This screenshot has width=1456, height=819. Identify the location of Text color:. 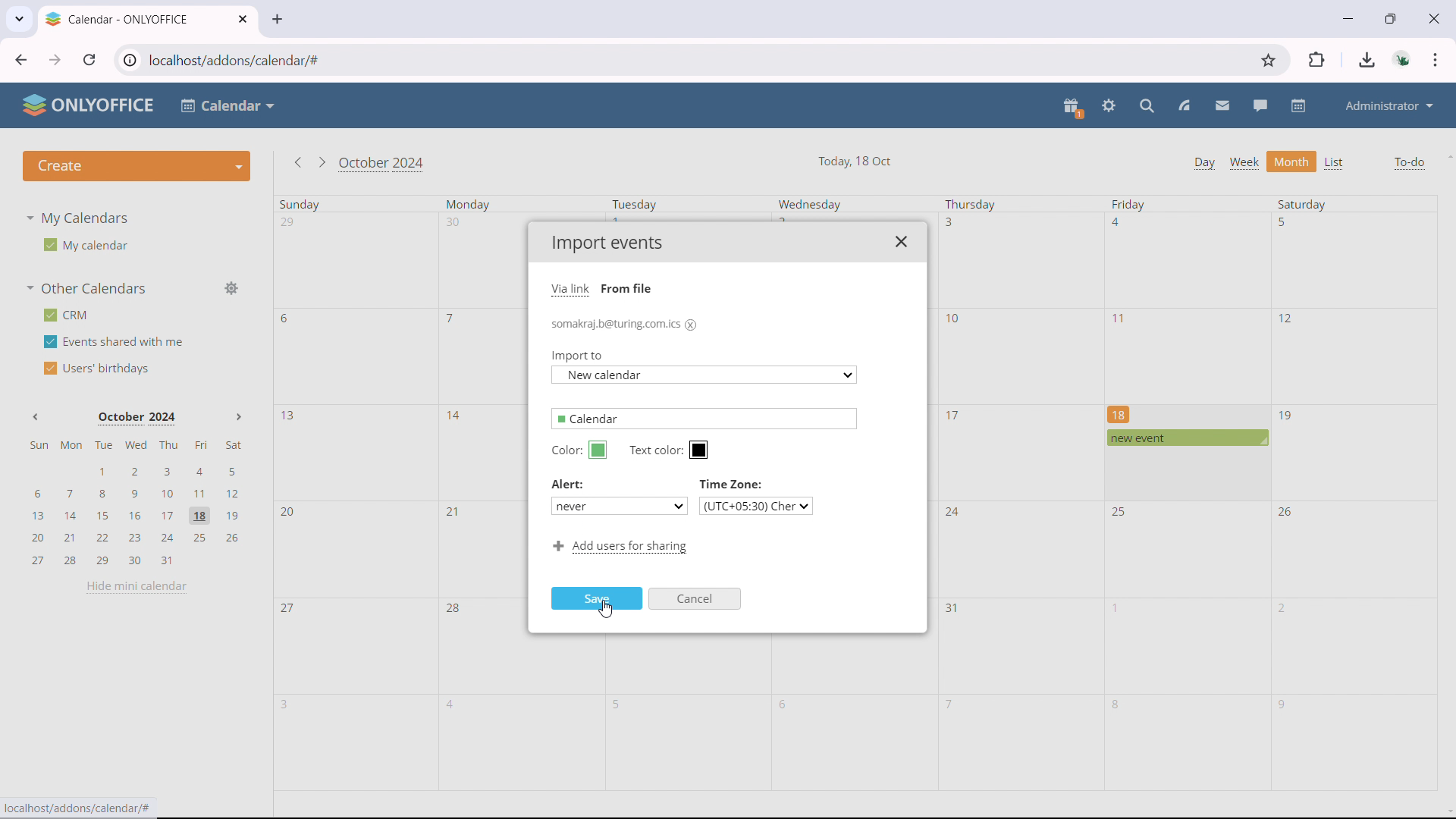
(672, 452).